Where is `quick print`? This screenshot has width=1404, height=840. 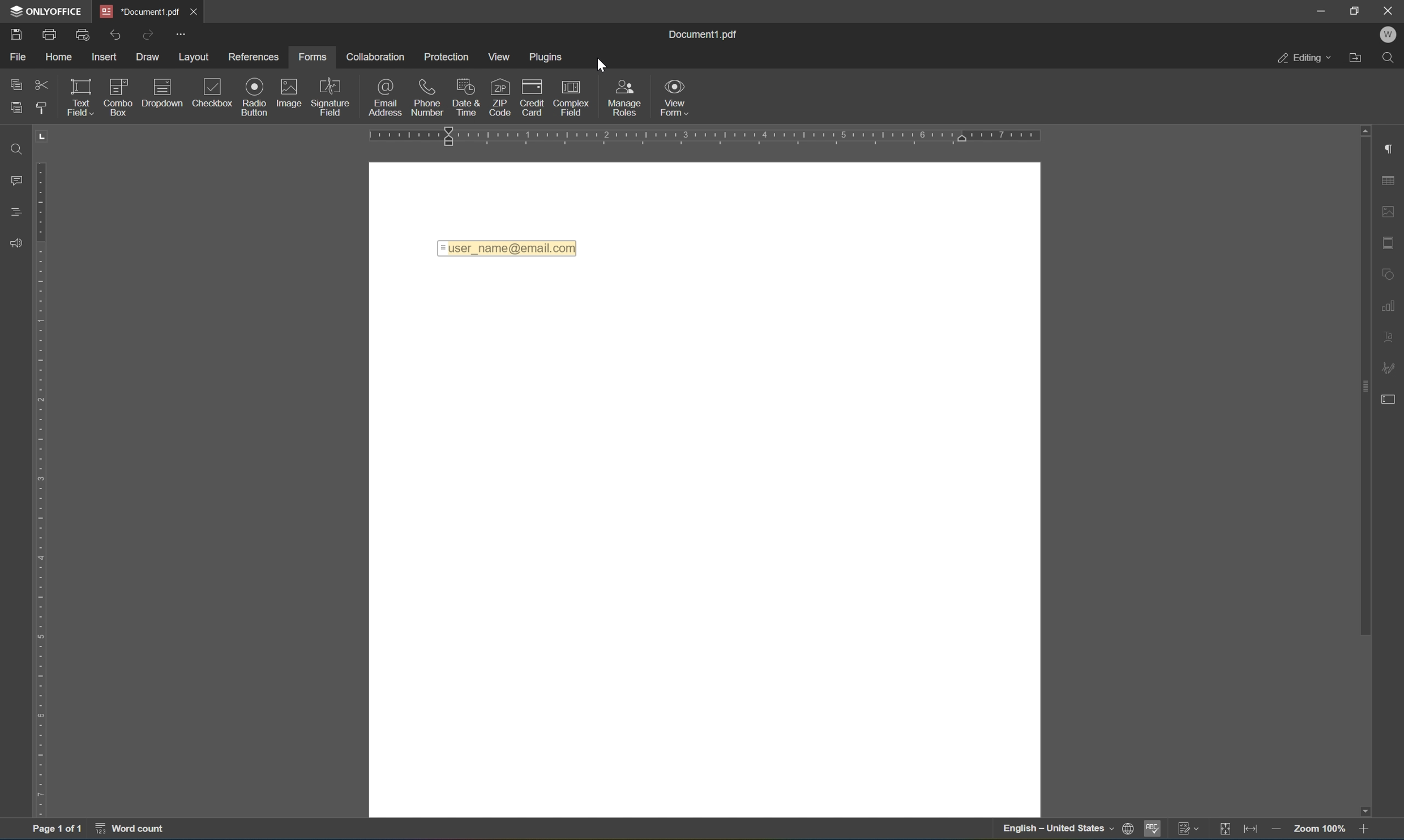 quick print is located at coordinates (82, 33).